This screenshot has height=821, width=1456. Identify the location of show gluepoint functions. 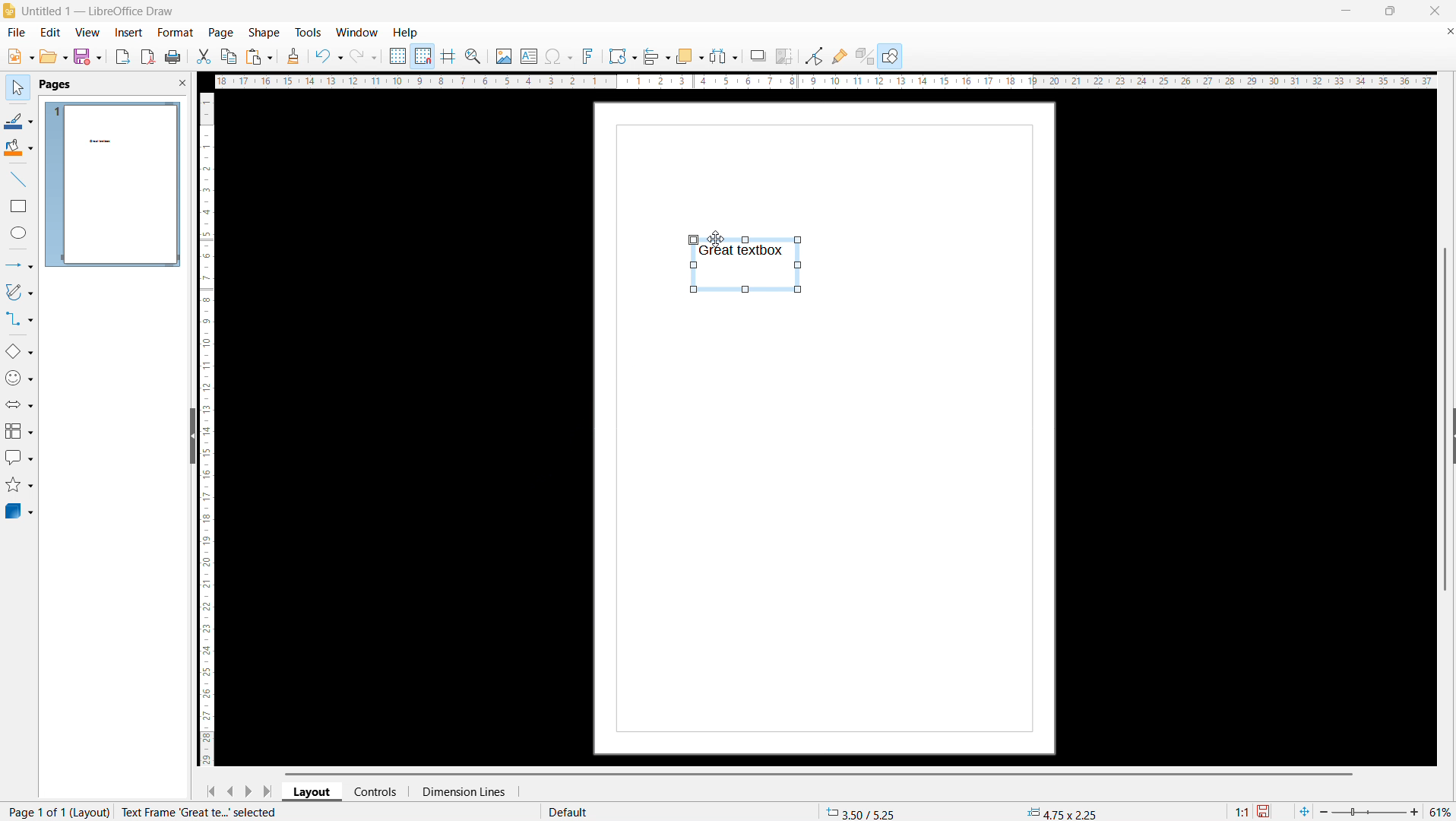
(840, 55).